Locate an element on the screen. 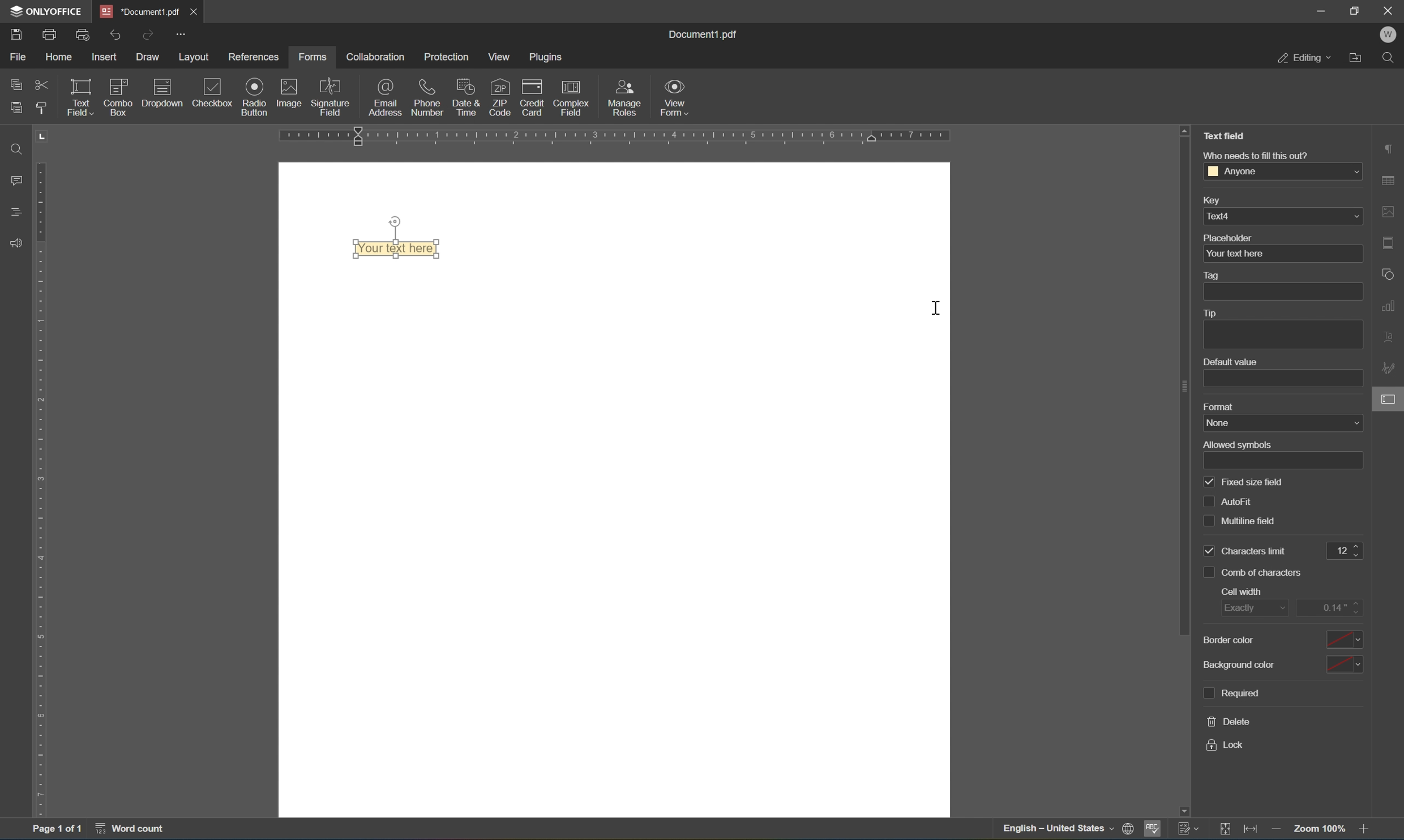  track changes is located at coordinates (1187, 829).